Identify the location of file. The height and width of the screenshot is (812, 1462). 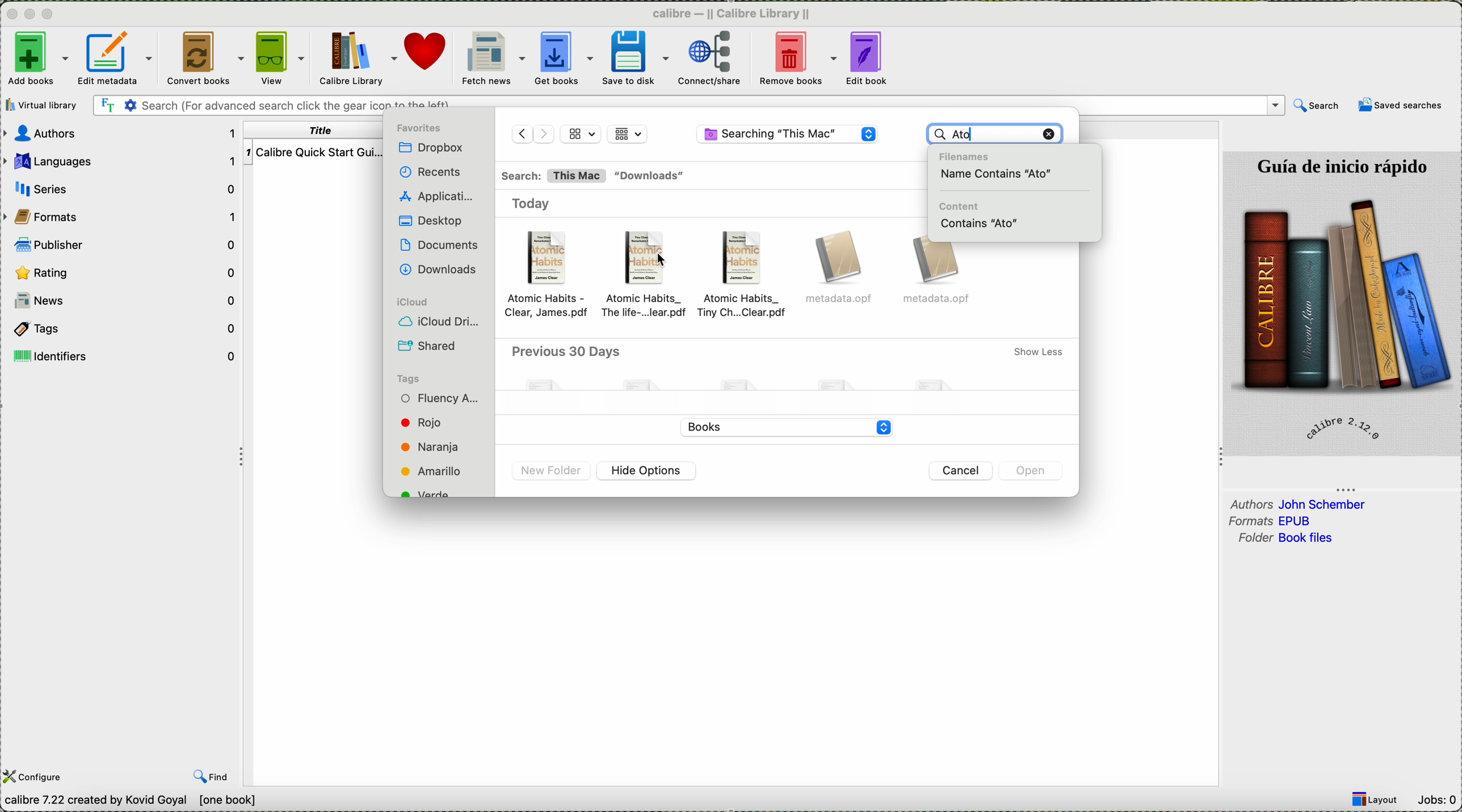
(842, 270).